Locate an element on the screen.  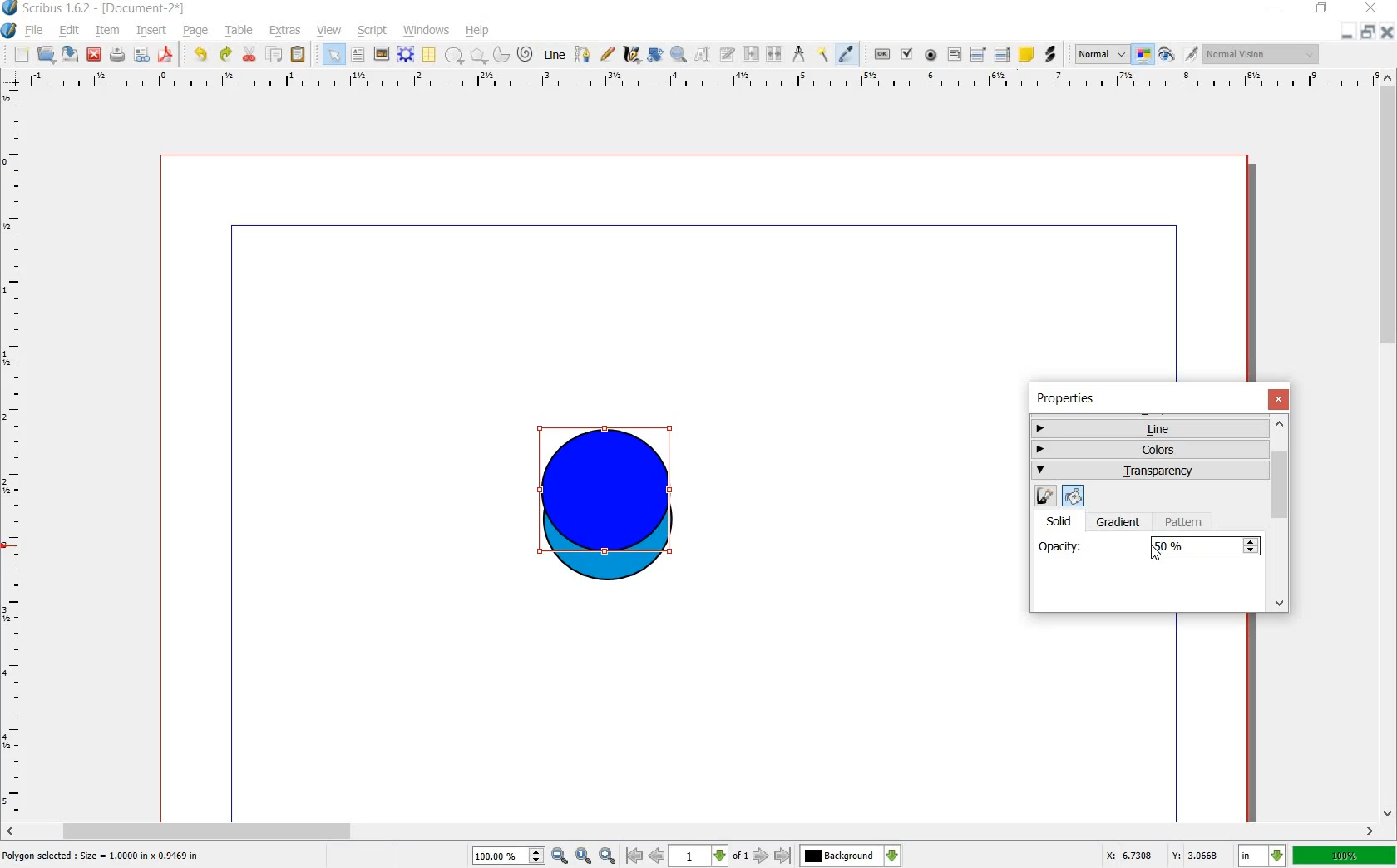
measurement is located at coordinates (800, 55).